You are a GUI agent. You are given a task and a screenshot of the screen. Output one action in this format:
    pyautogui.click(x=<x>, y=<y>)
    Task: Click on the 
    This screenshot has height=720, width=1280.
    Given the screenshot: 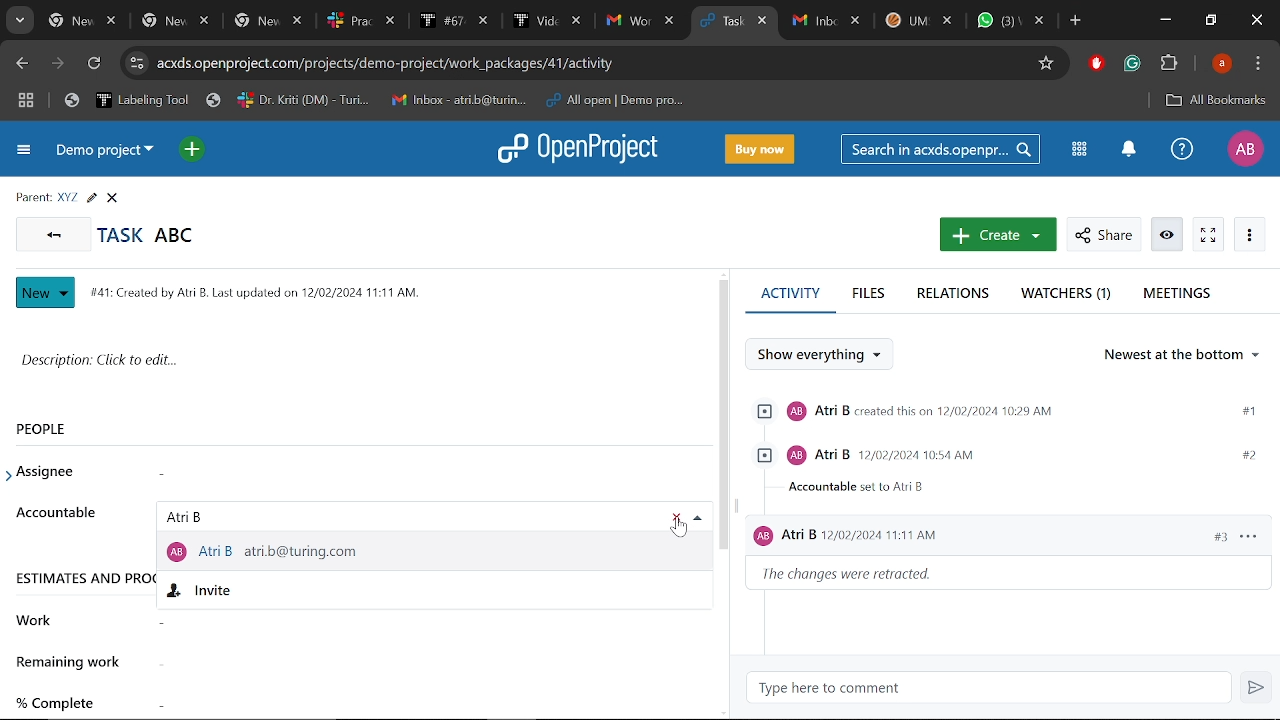 What is the action you would take?
    pyautogui.click(x=46, y=430)
    